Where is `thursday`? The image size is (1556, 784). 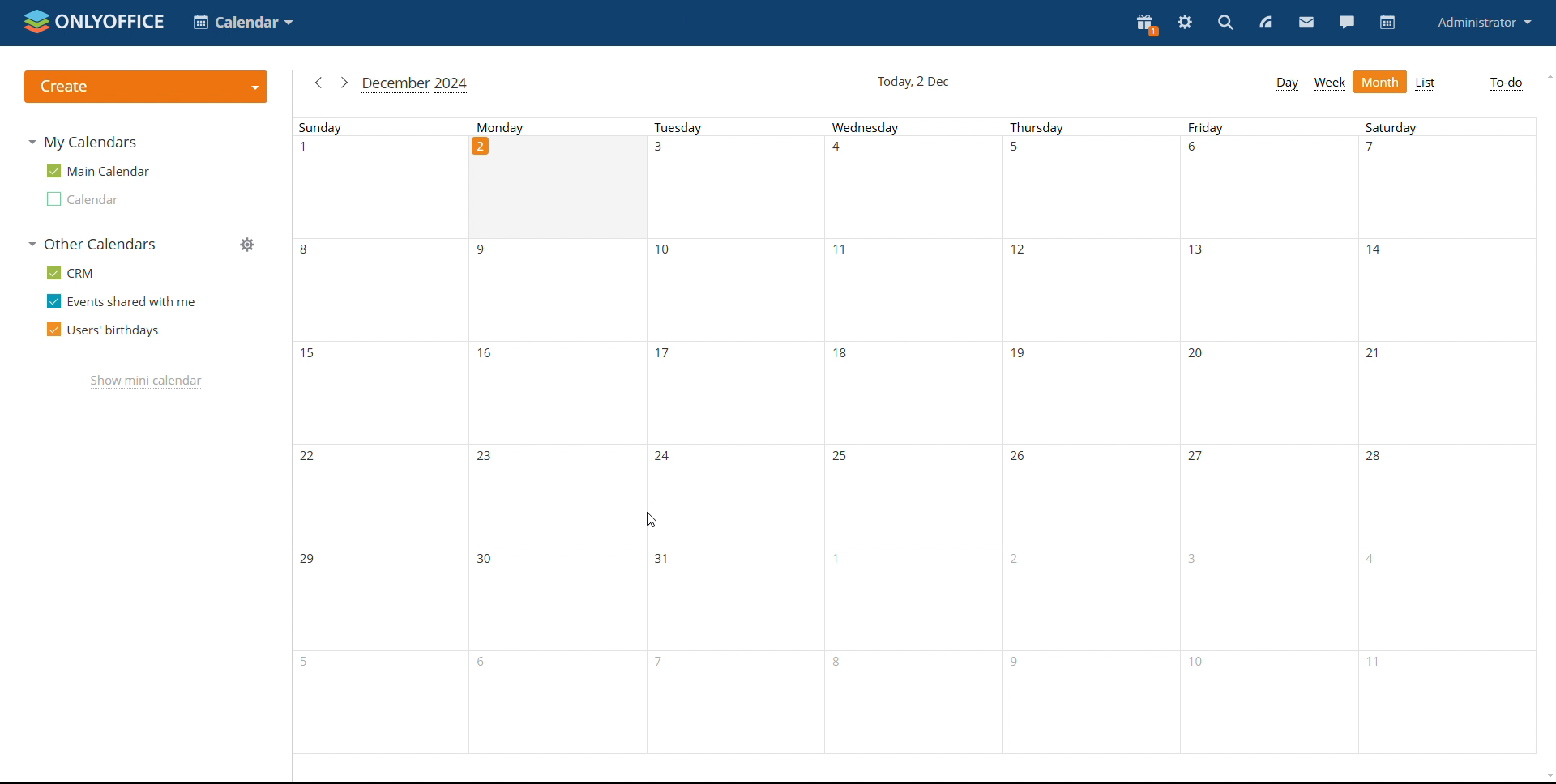
thursday is located at coordinates (1088, 436).